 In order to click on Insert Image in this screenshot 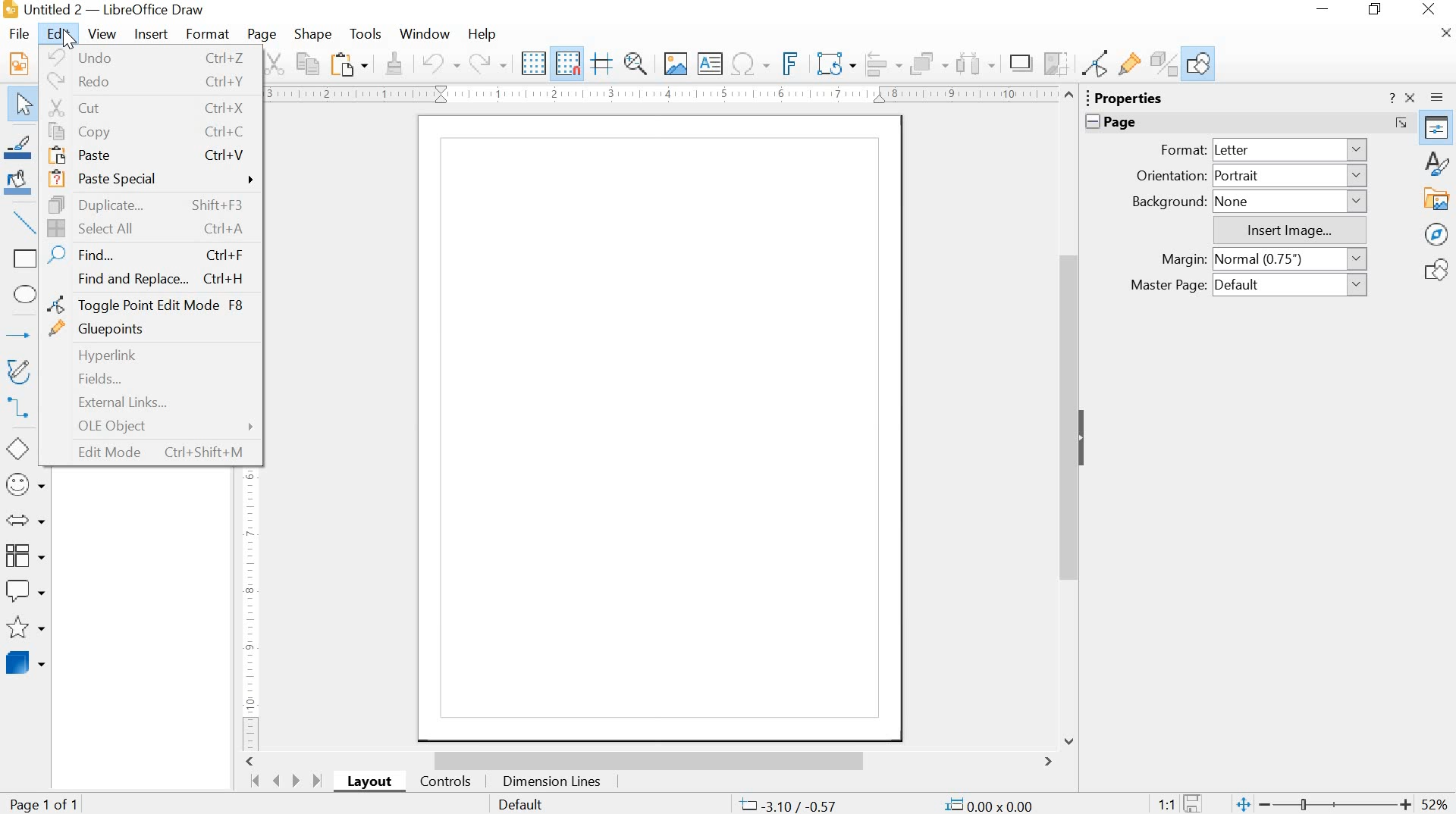, I will do `click(1290, 230)`.